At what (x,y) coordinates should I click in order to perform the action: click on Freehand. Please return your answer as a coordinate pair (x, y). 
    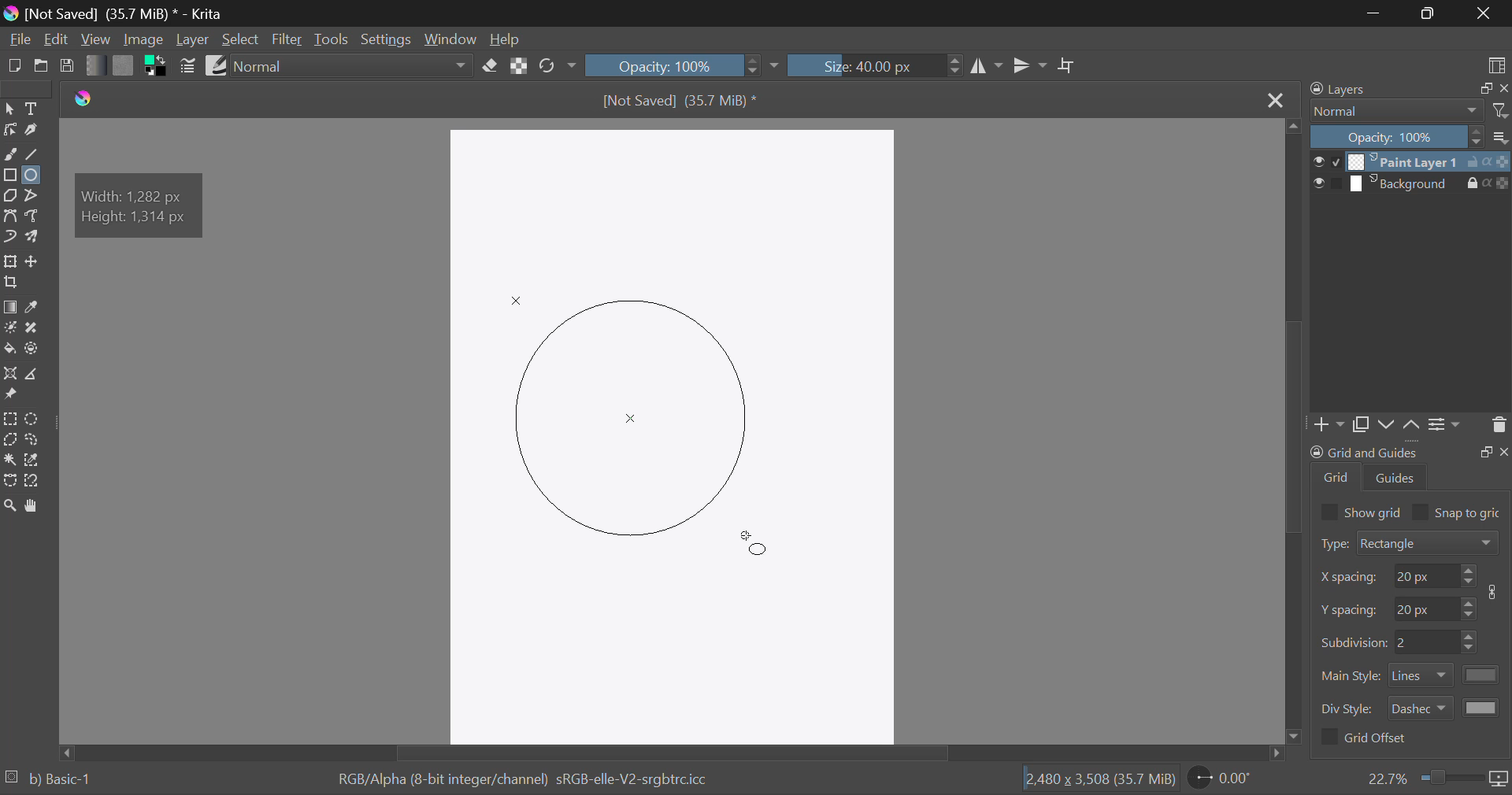
    Looking at the image, I should click on (11, 154).